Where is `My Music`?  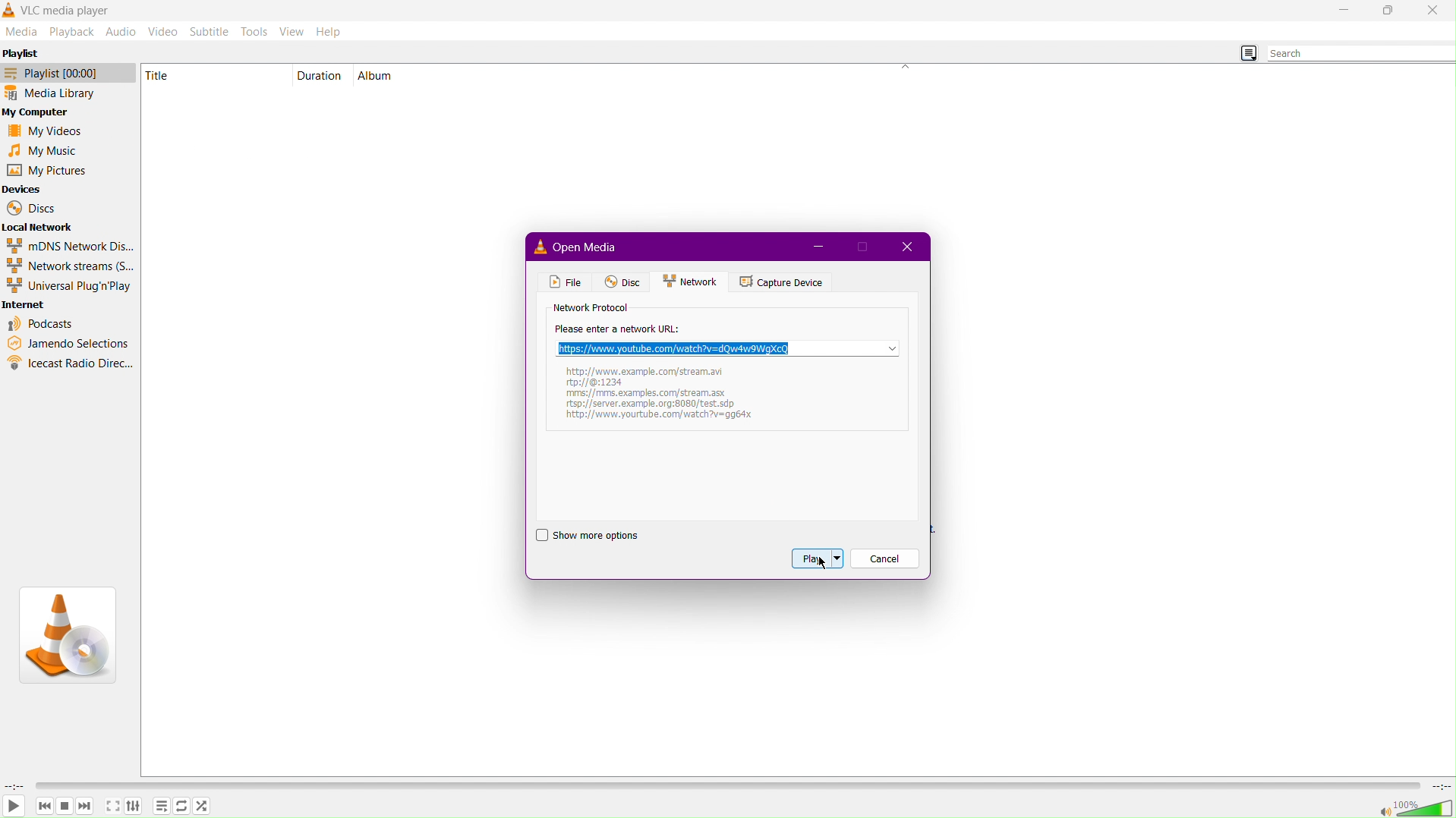
My Music is located at coordinates (49, 151).